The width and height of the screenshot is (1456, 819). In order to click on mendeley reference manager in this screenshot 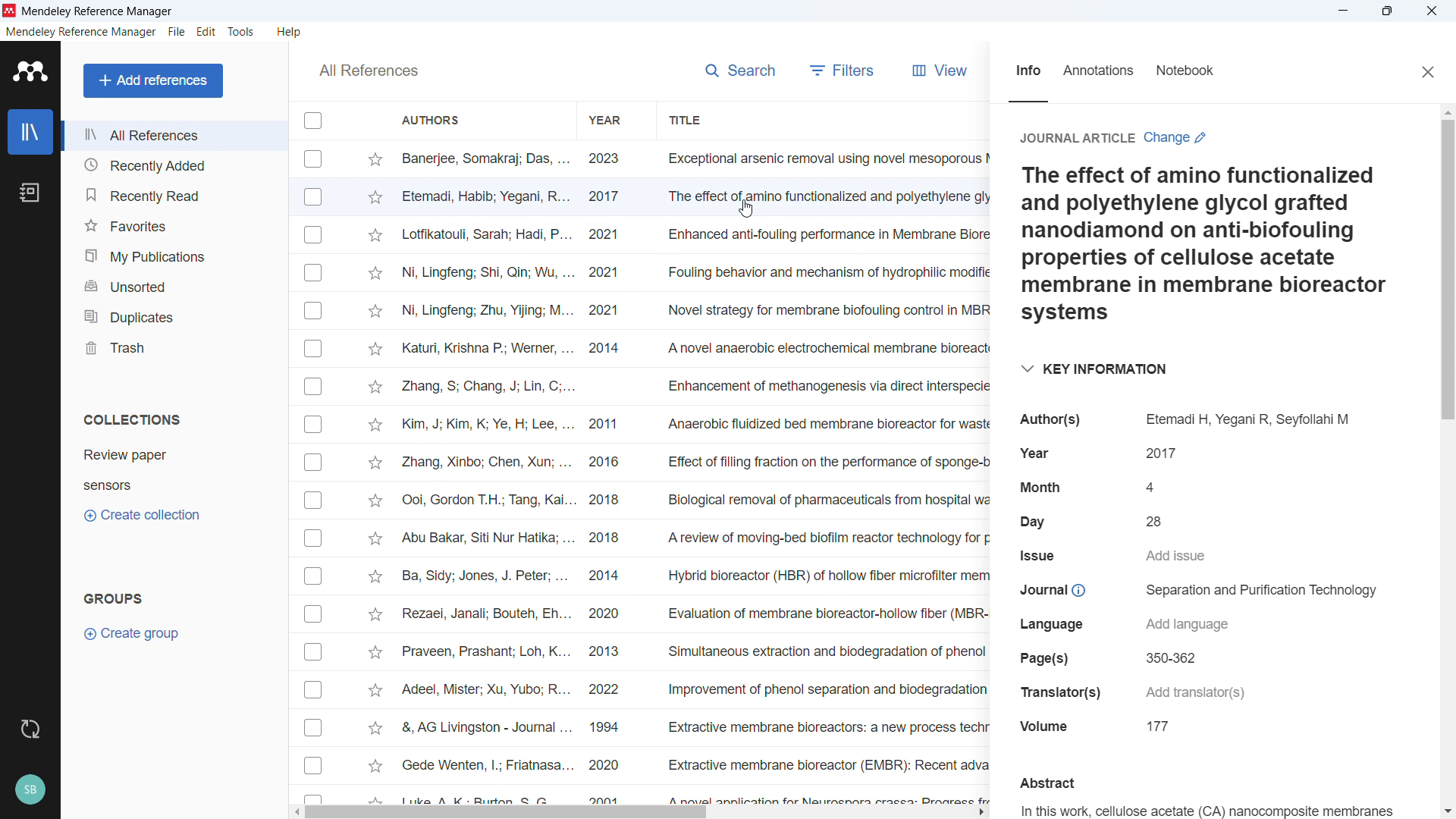, I will do `click(99, 11)`.